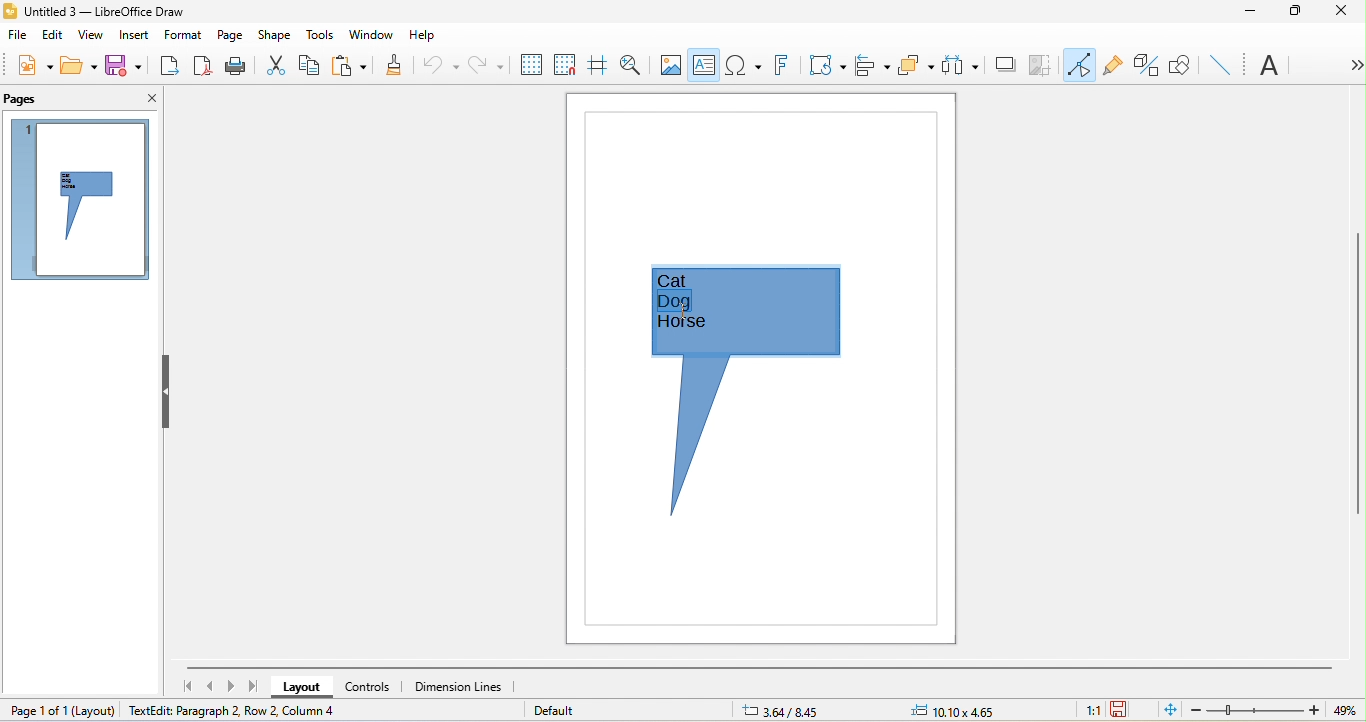 The height and width of the screenshot is (722, 1366). I want to click on default, so click(559, 710).